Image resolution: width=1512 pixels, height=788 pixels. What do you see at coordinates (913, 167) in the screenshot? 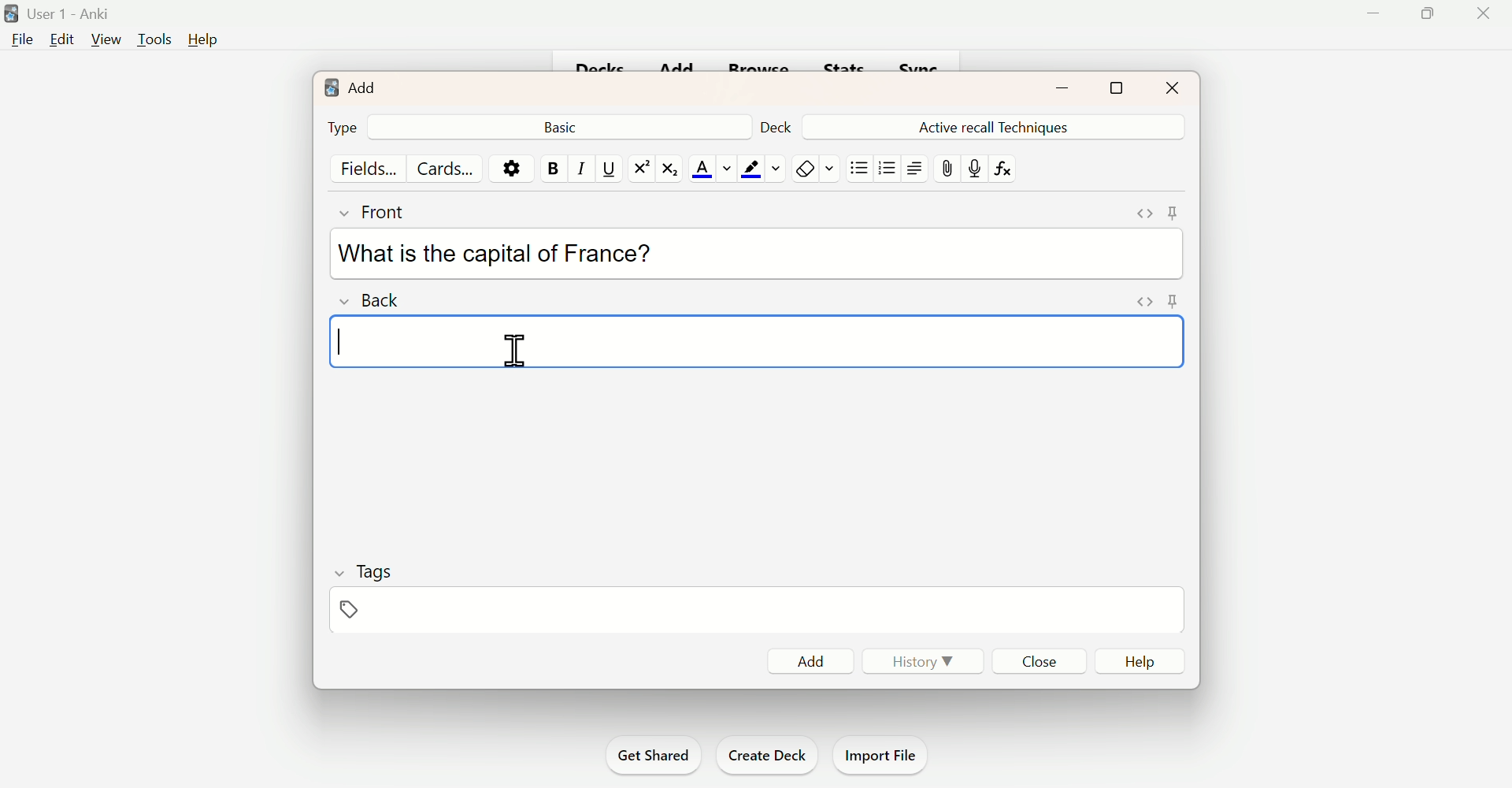
I see `Text Alignment` at bounding box center [913, 167].